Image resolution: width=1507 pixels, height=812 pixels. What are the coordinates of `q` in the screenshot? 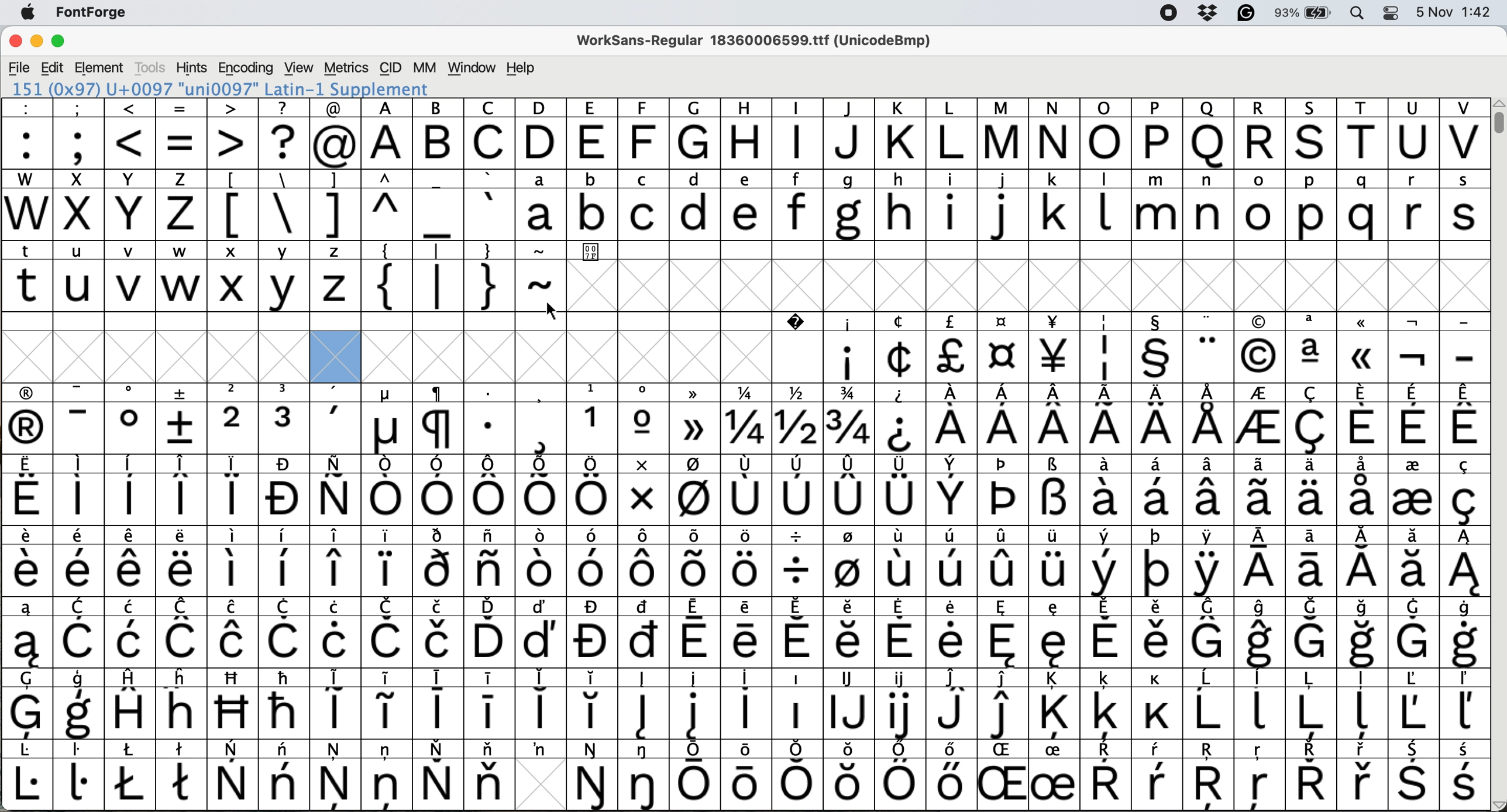 It's located at (1365, 206).